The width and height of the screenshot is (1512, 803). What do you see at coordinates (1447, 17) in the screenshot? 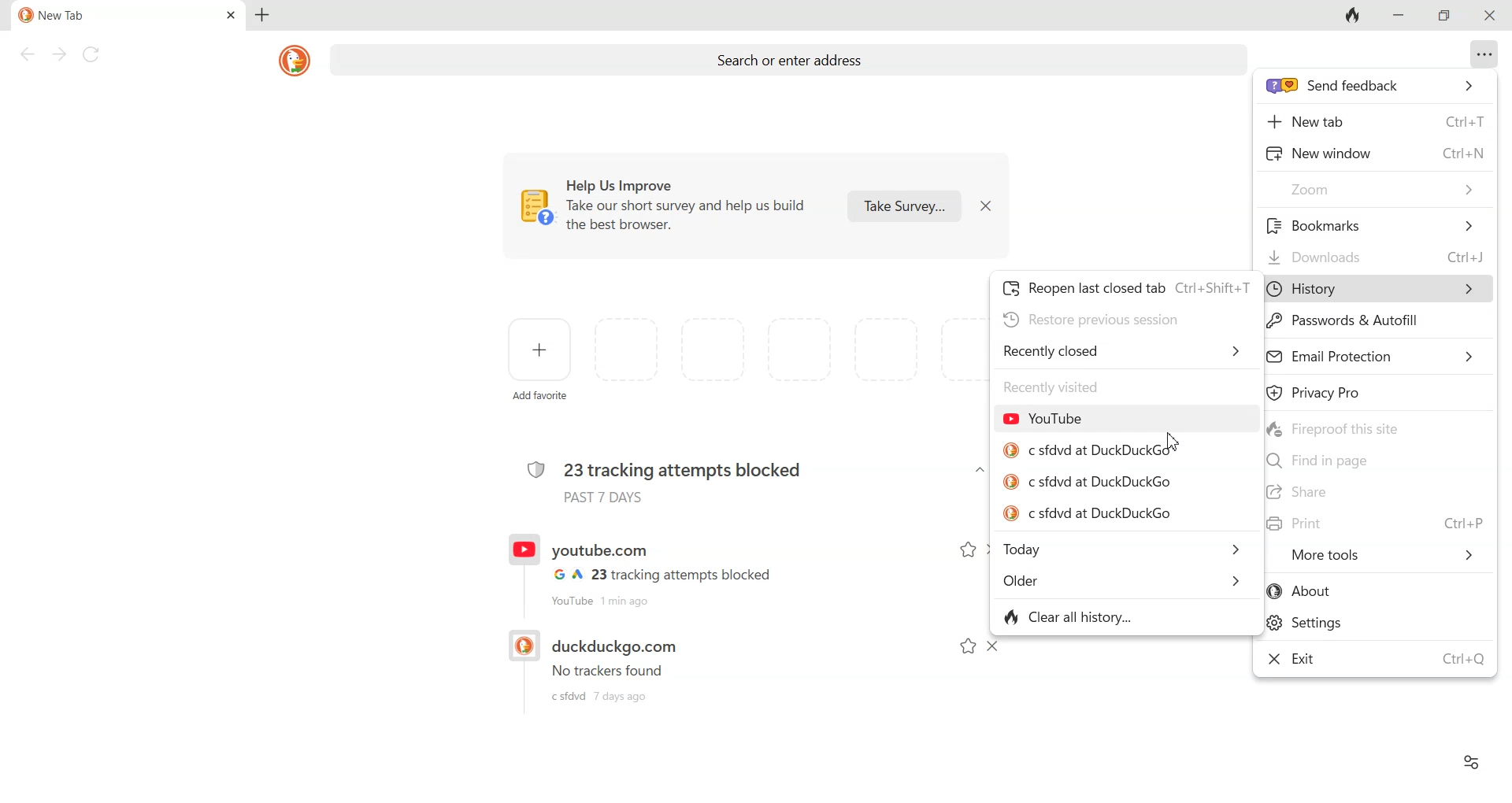
I see `Maximize` at bounding box center [1447, 17].